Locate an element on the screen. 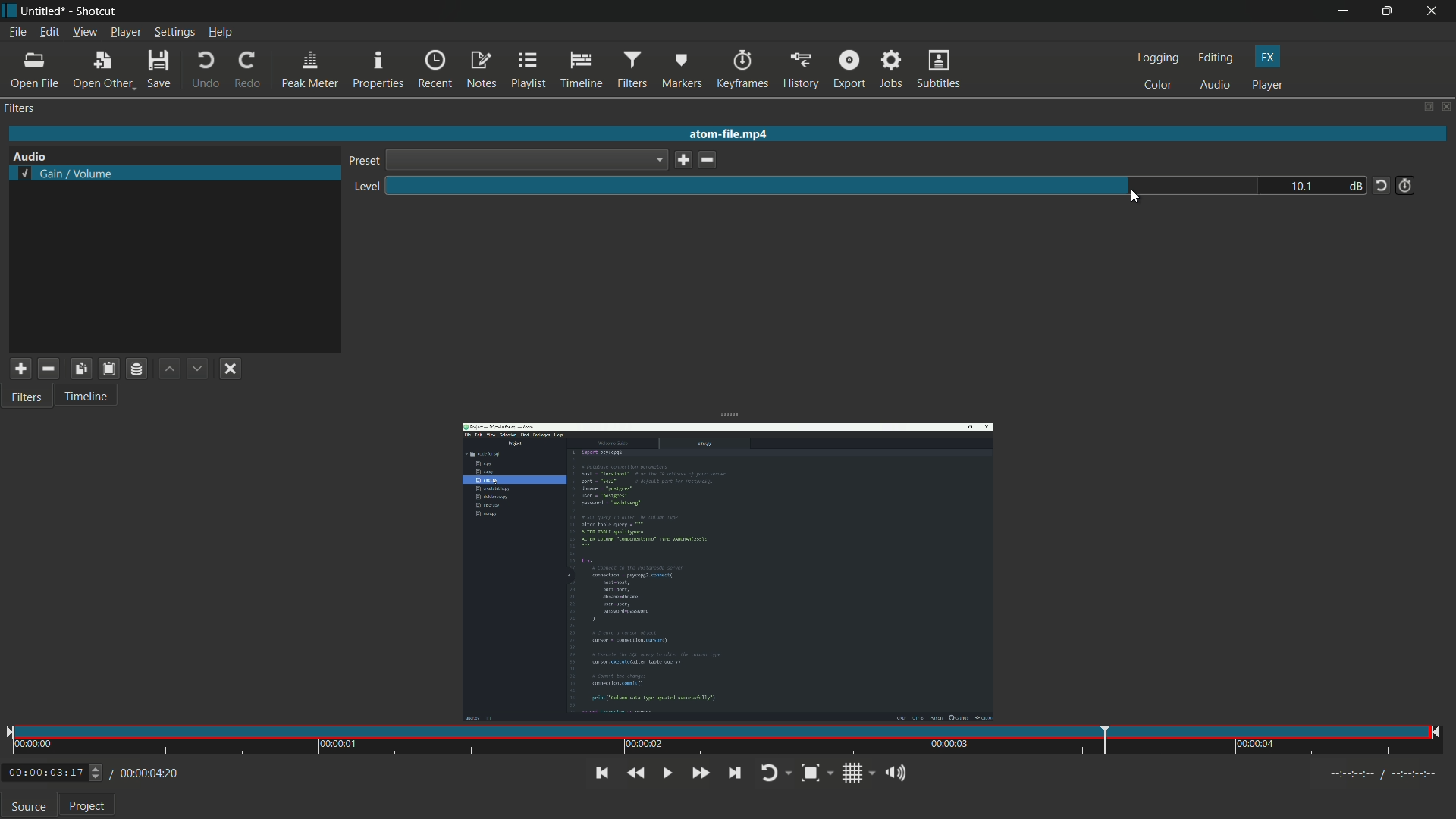 The image size is (1456, 819). Project is located at coordinates (86, 807).